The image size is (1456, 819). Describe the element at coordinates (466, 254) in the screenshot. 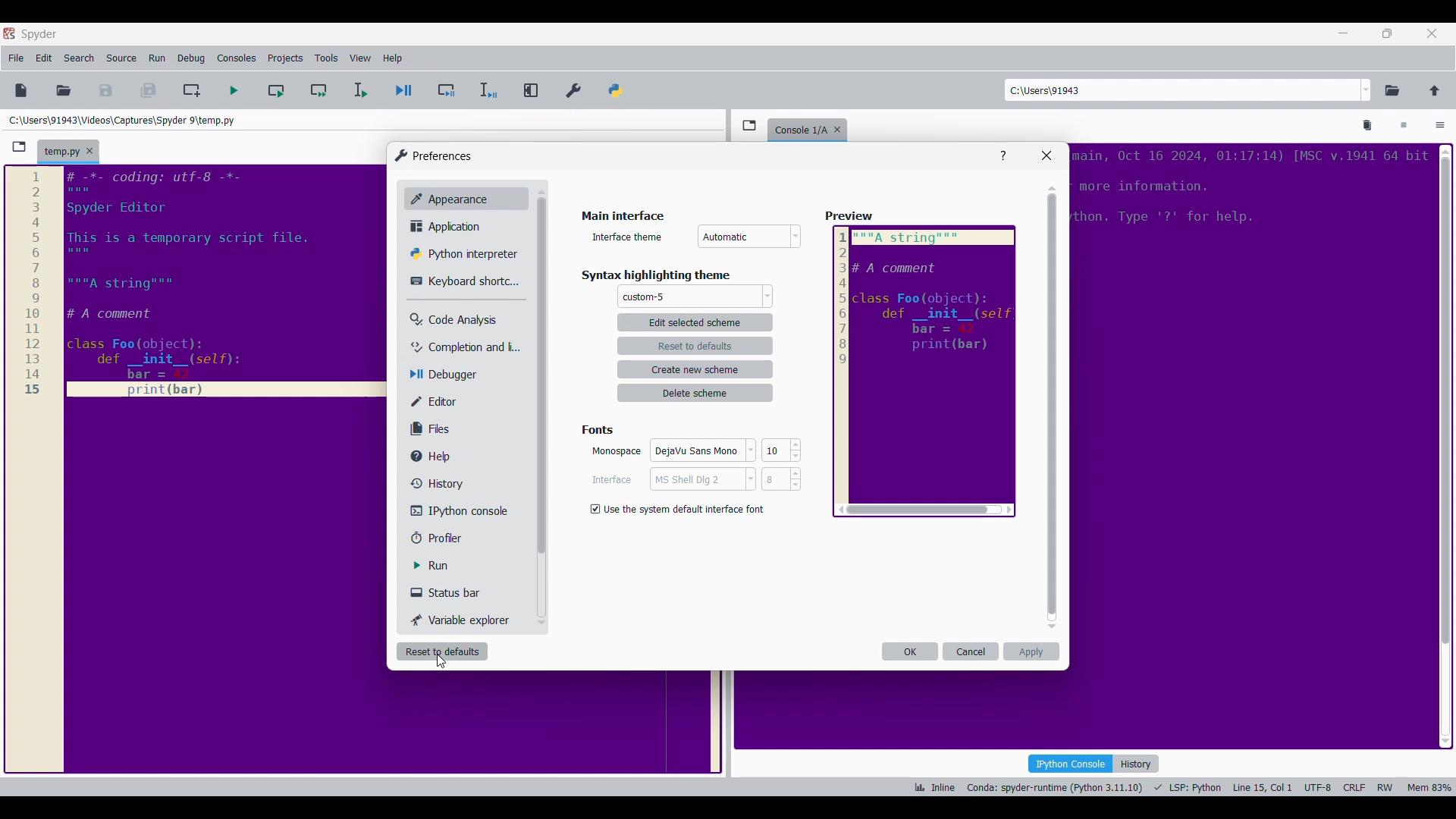

I see `Python interpretor` at that location.